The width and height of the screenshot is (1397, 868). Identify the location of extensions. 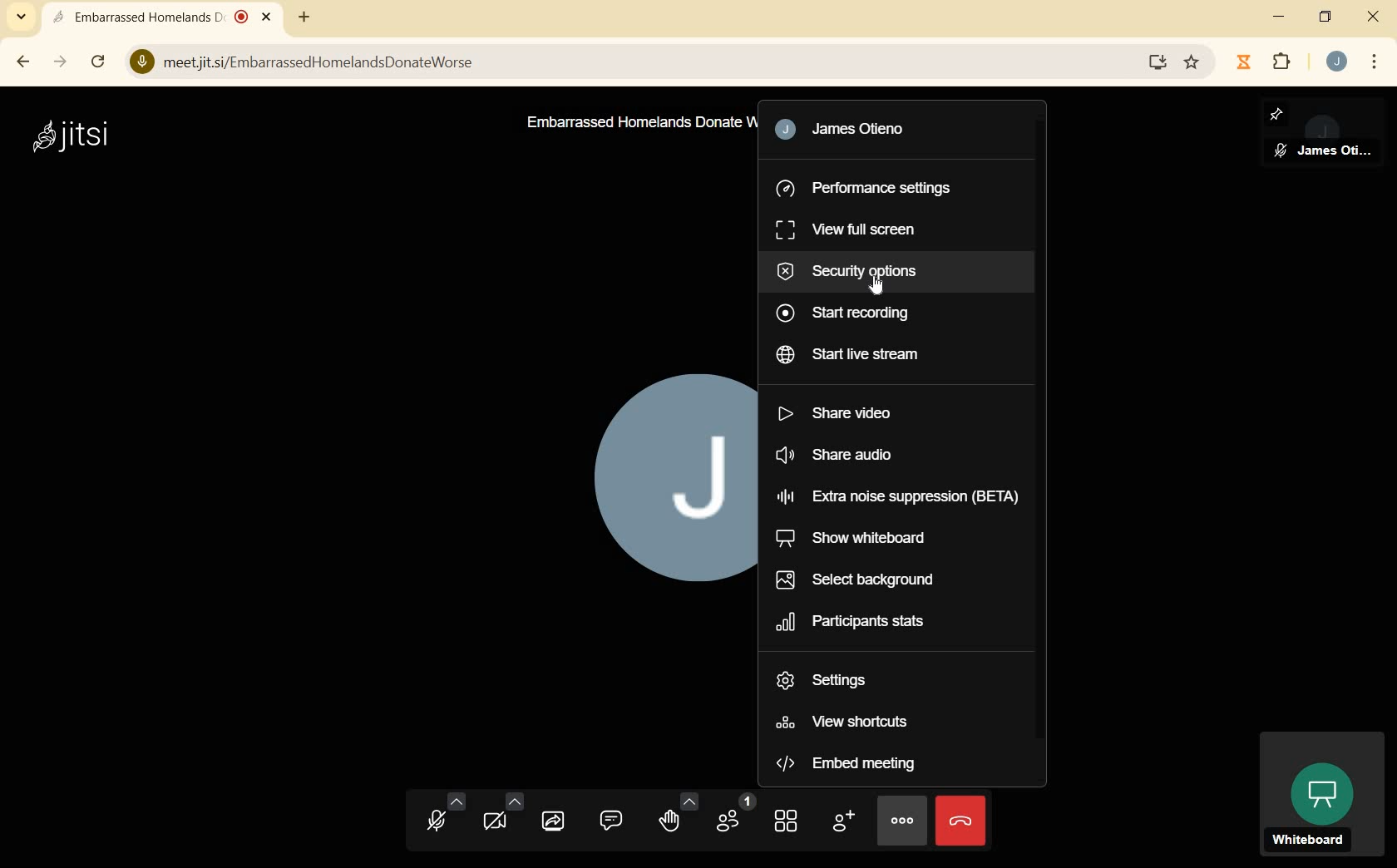
(1281, 63).